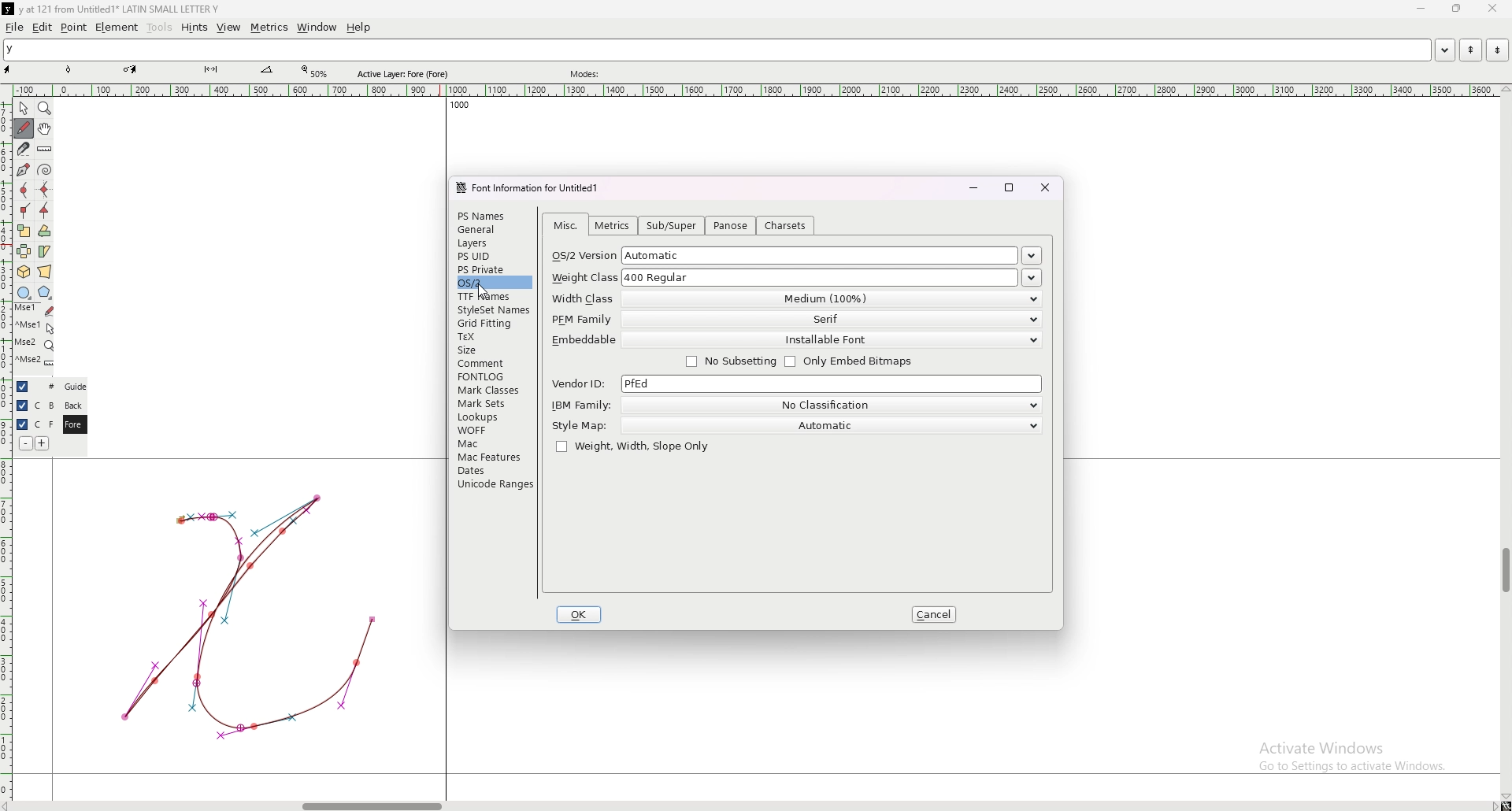 This screenshot has width=1512, height=811. What do you see at coordinates (1032, 257) in the screenshot?
I see `os/2 versions` at bounding box center [1032, 257].